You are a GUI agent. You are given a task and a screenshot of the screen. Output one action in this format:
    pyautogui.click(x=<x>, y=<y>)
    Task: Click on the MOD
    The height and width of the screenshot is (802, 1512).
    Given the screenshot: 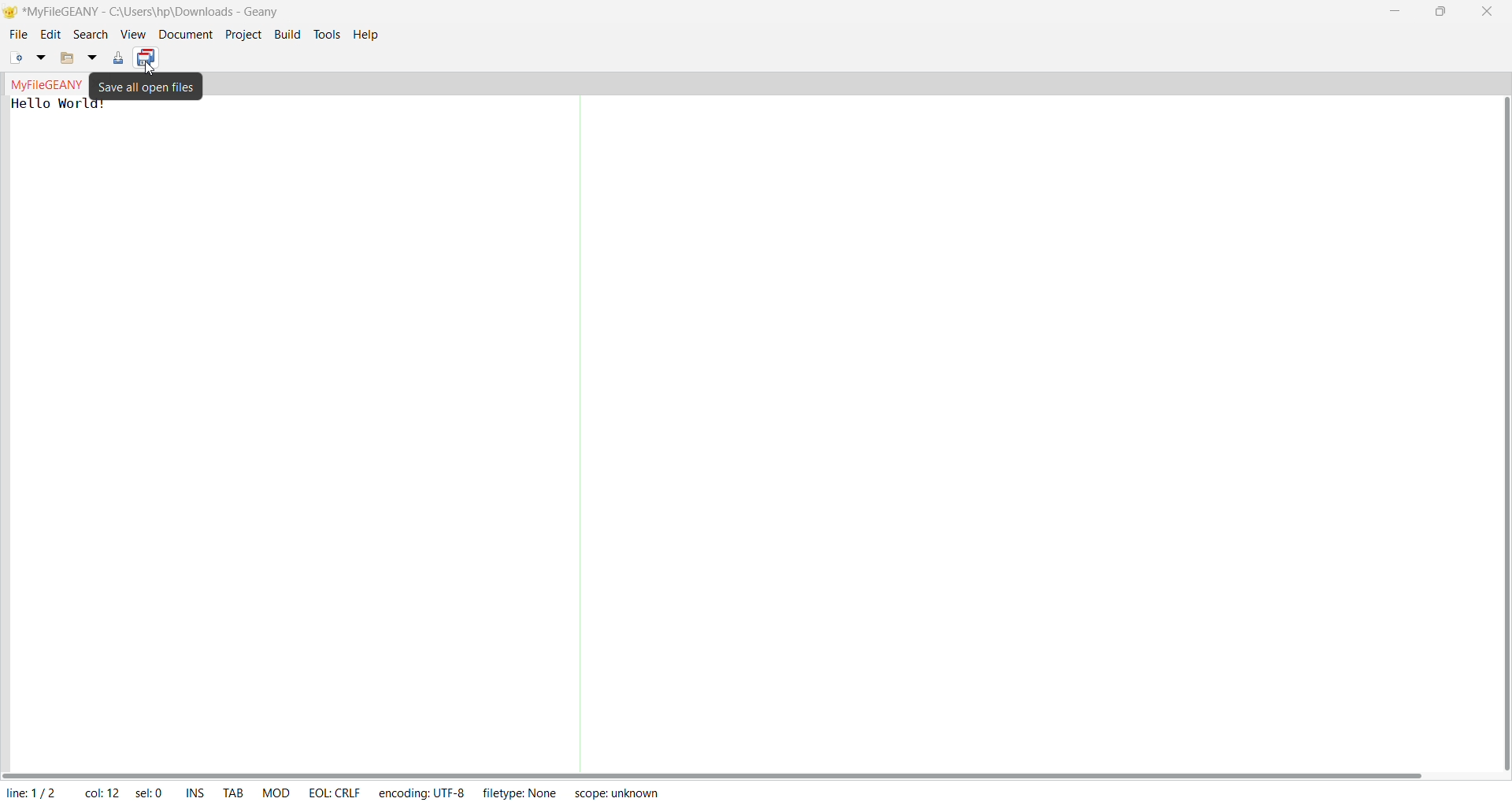 What is the action you would take?
    pyautogui.click(x=278, y=790)
    